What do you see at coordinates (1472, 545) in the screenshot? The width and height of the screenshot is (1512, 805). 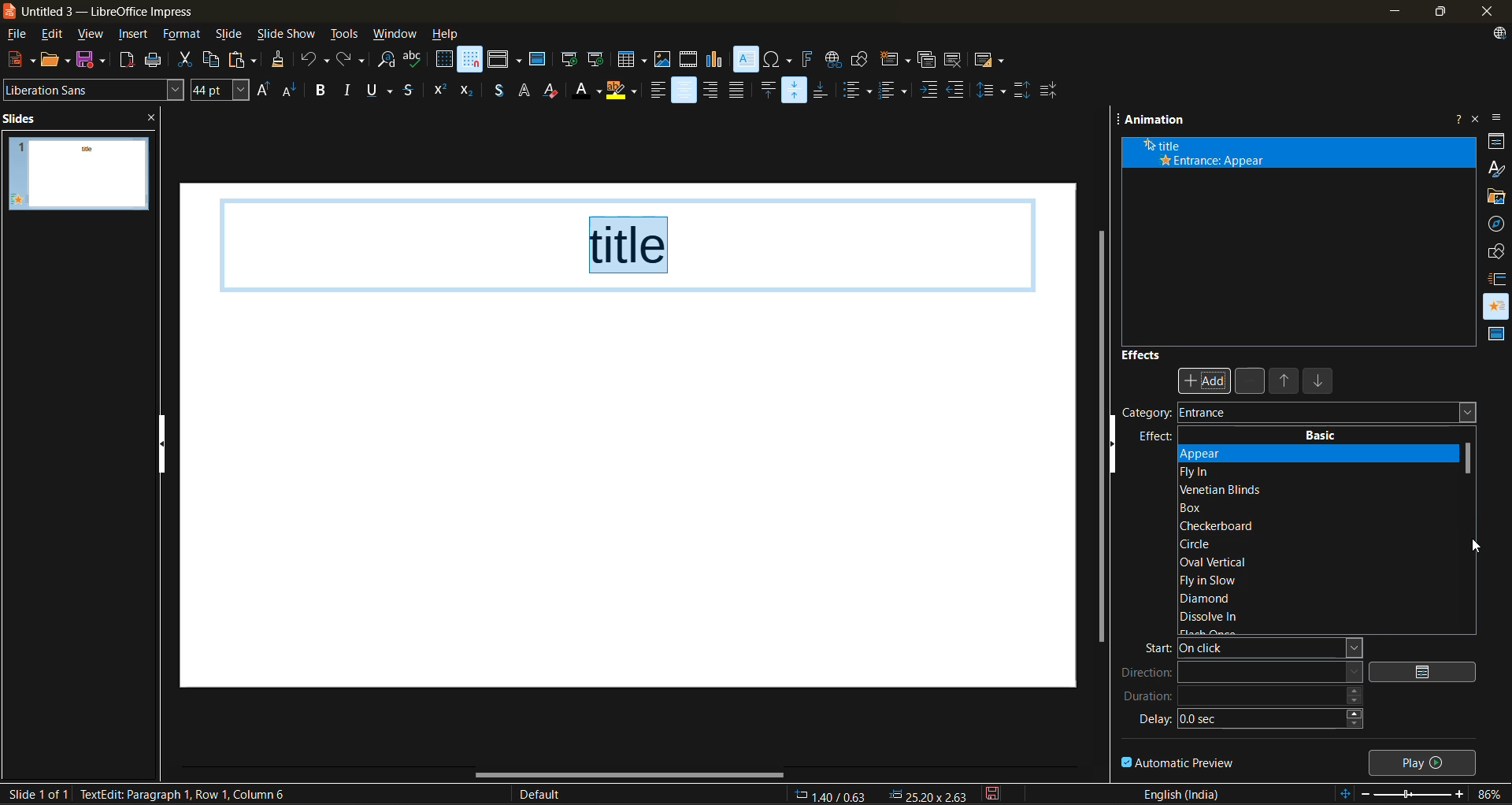 I see `cursor` at bounding box center [1472, 545].